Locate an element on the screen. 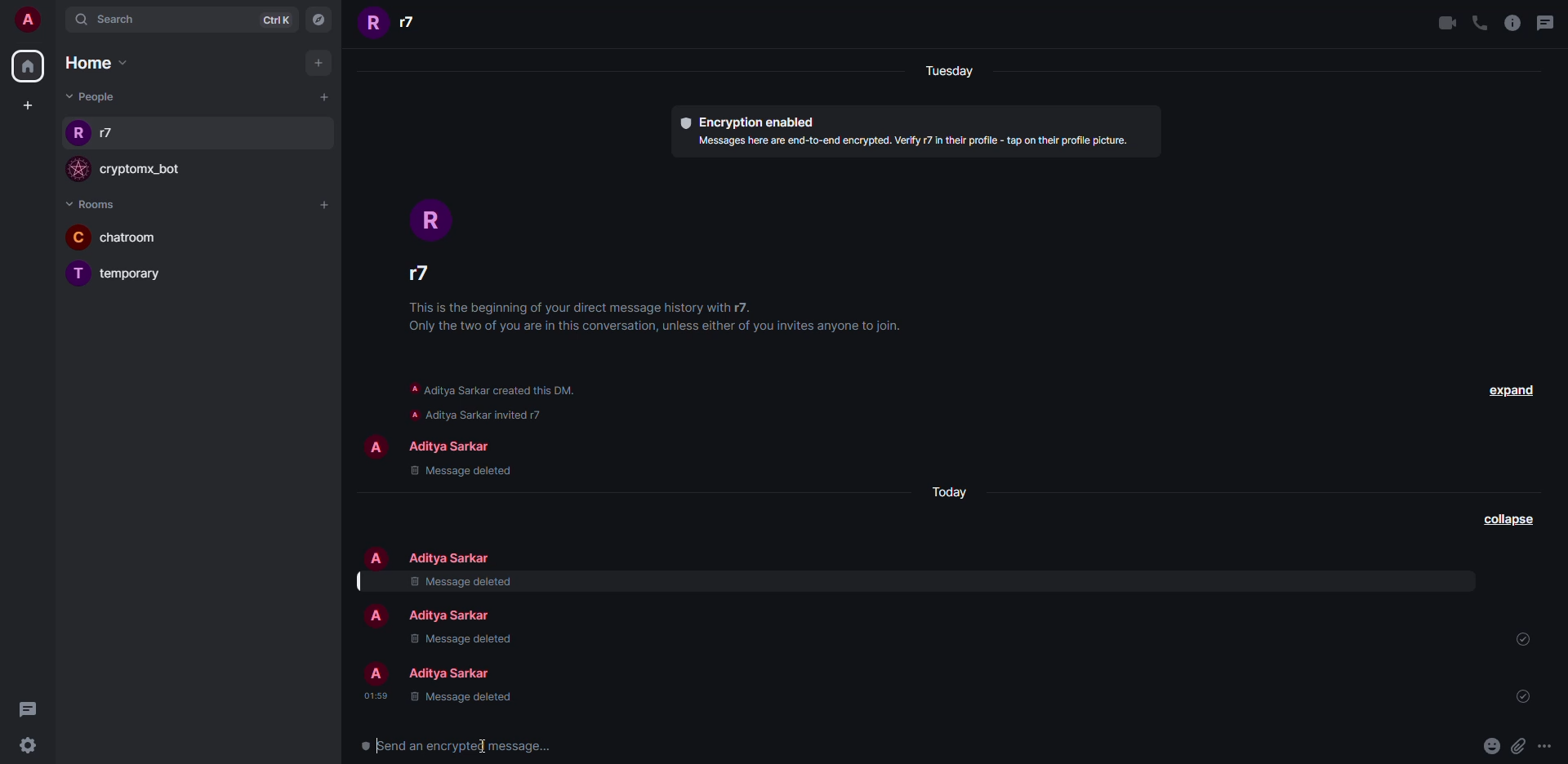 The height and width of the screenshot is (764, 1568). message deleted is located at coordinates (467, 698).